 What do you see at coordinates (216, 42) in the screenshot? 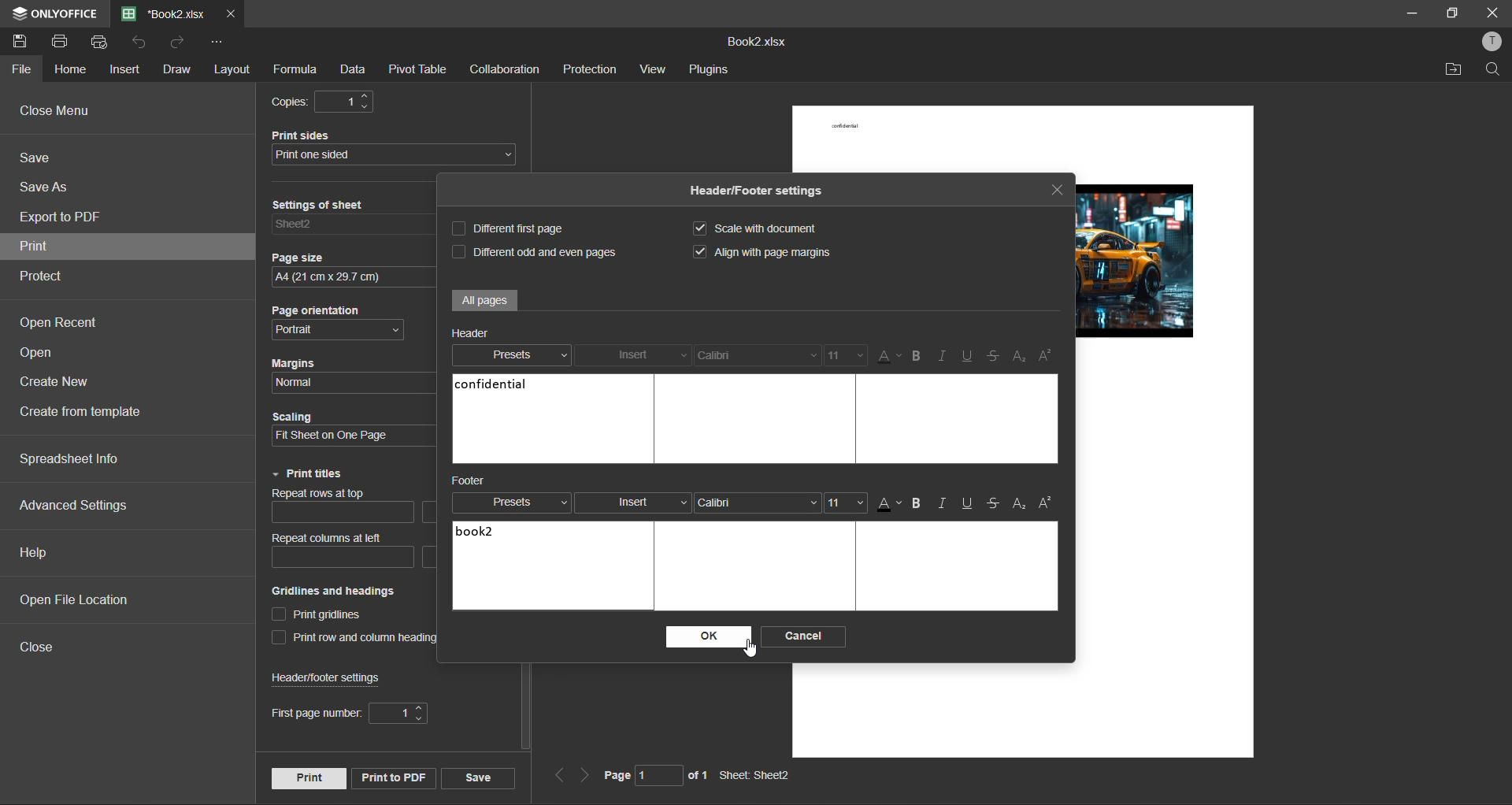
I see `customize quick access toolbar` at bounding box center [216, 42].